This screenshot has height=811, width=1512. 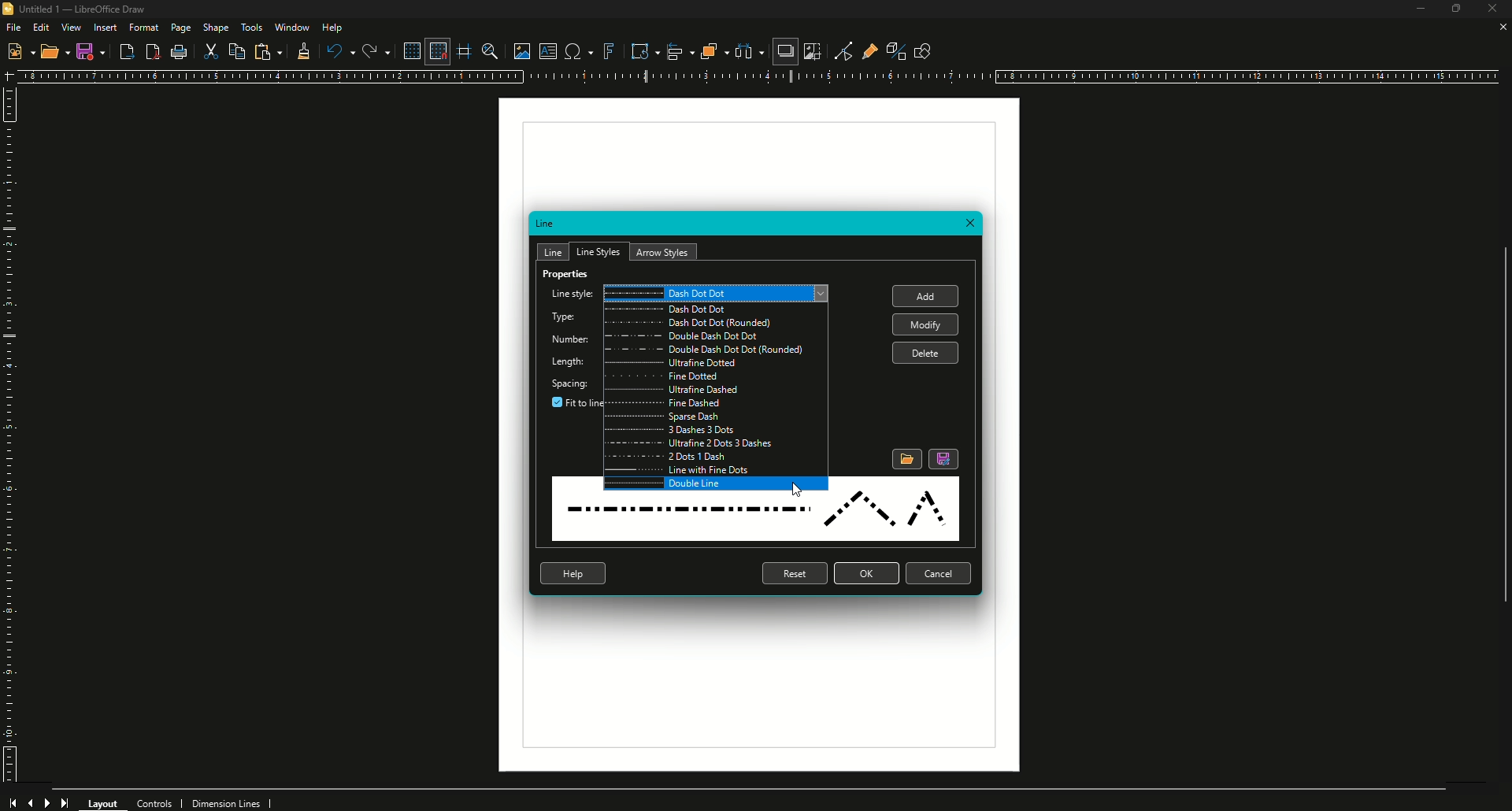 I want to click on New, so click(x=20, y=50).